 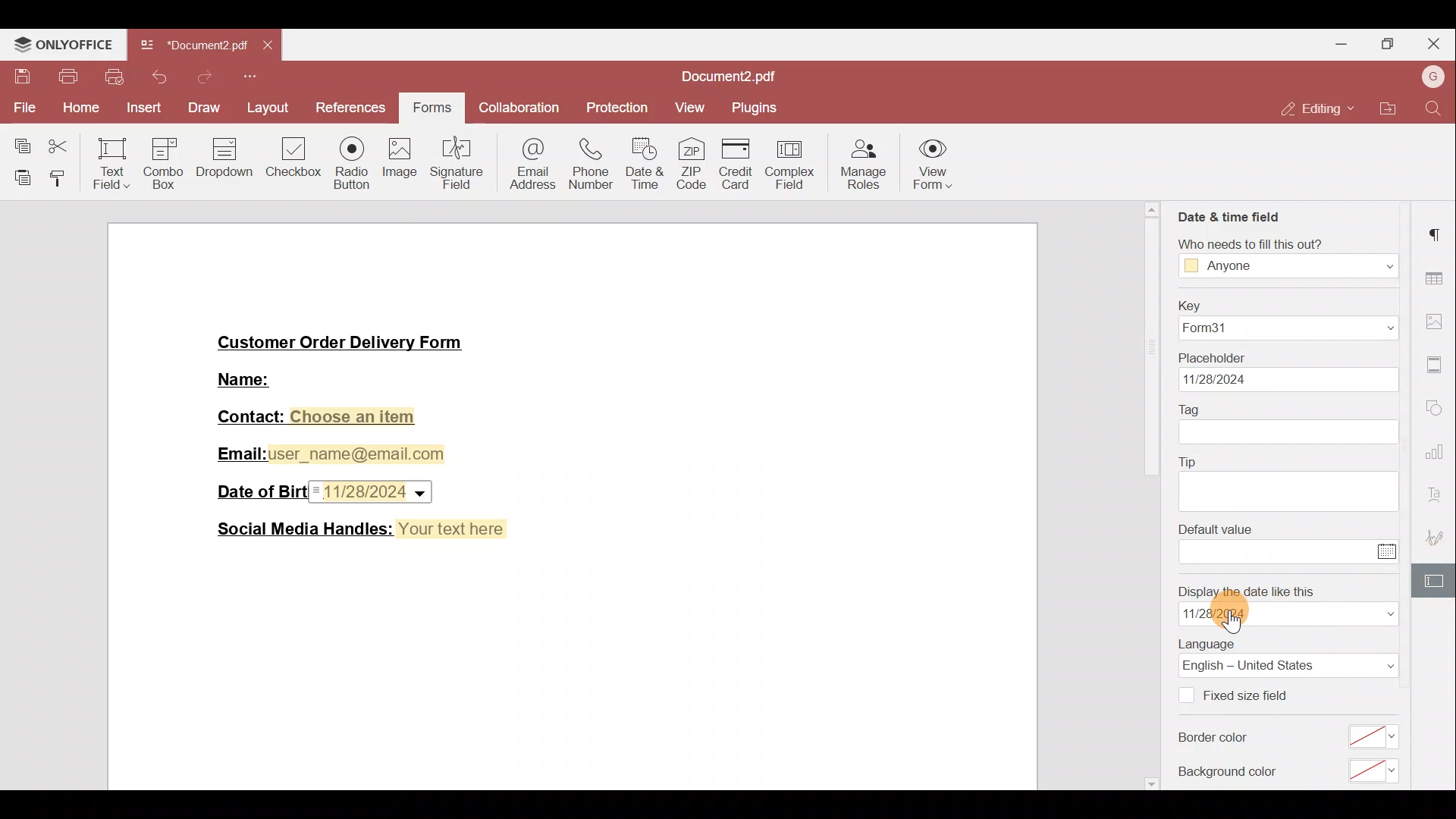 I want to click on Date & time, so click(x=645, y=164).